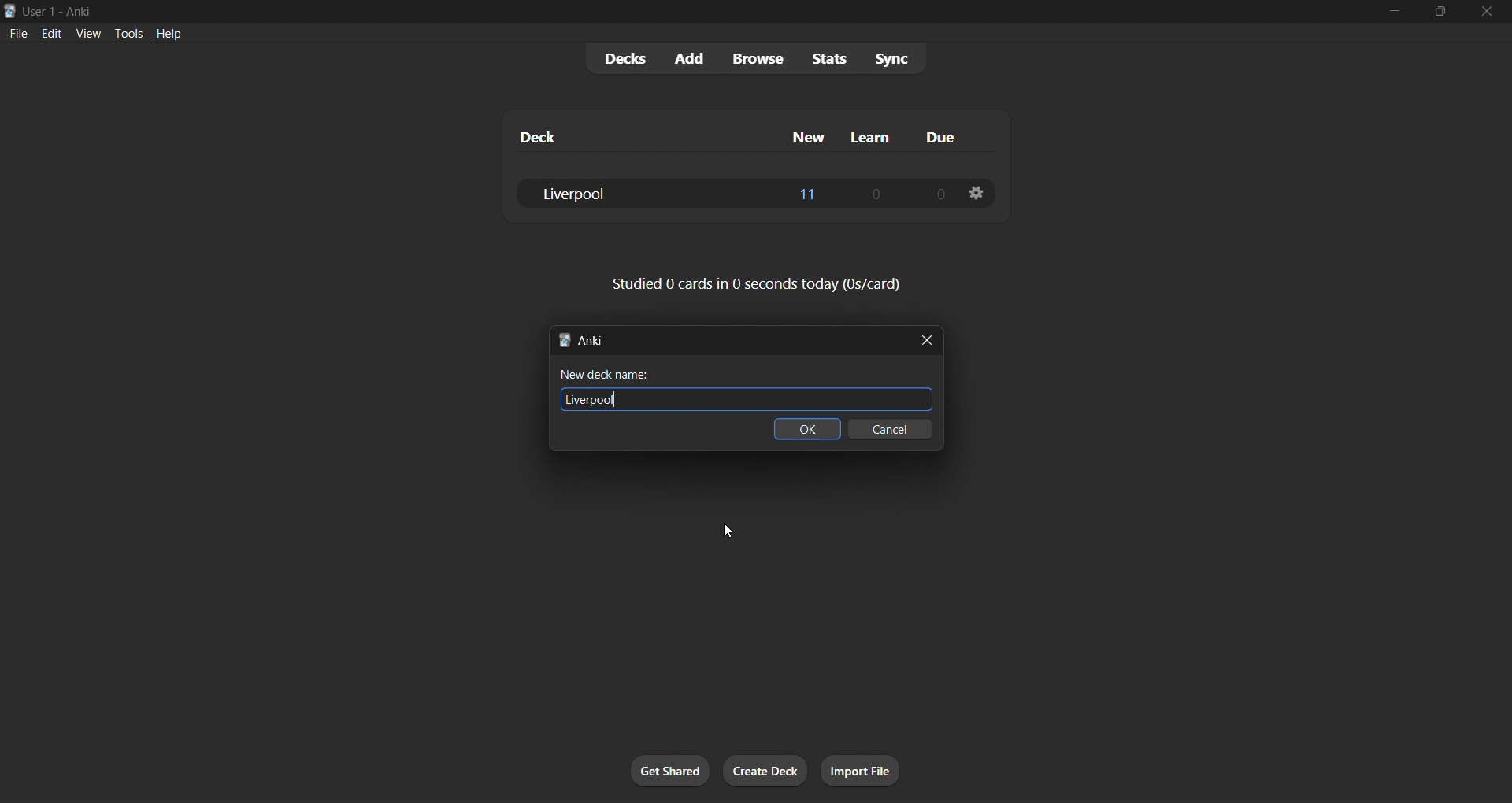 The height and width of the screenshot is (803, 1512). I want to click on stats, so click(824, 58).